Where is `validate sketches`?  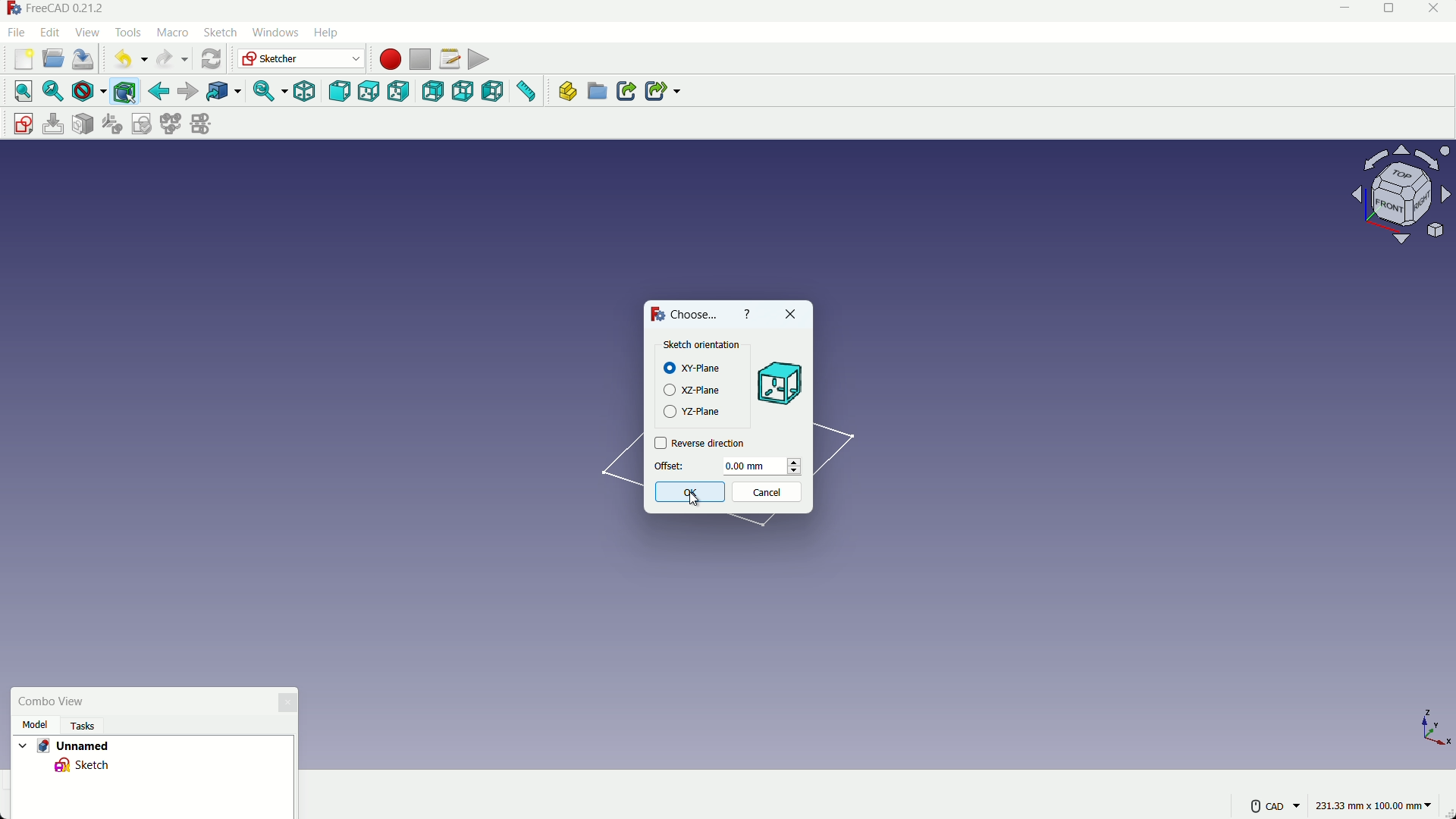
validate sketches is located at coordinates (141, 124).